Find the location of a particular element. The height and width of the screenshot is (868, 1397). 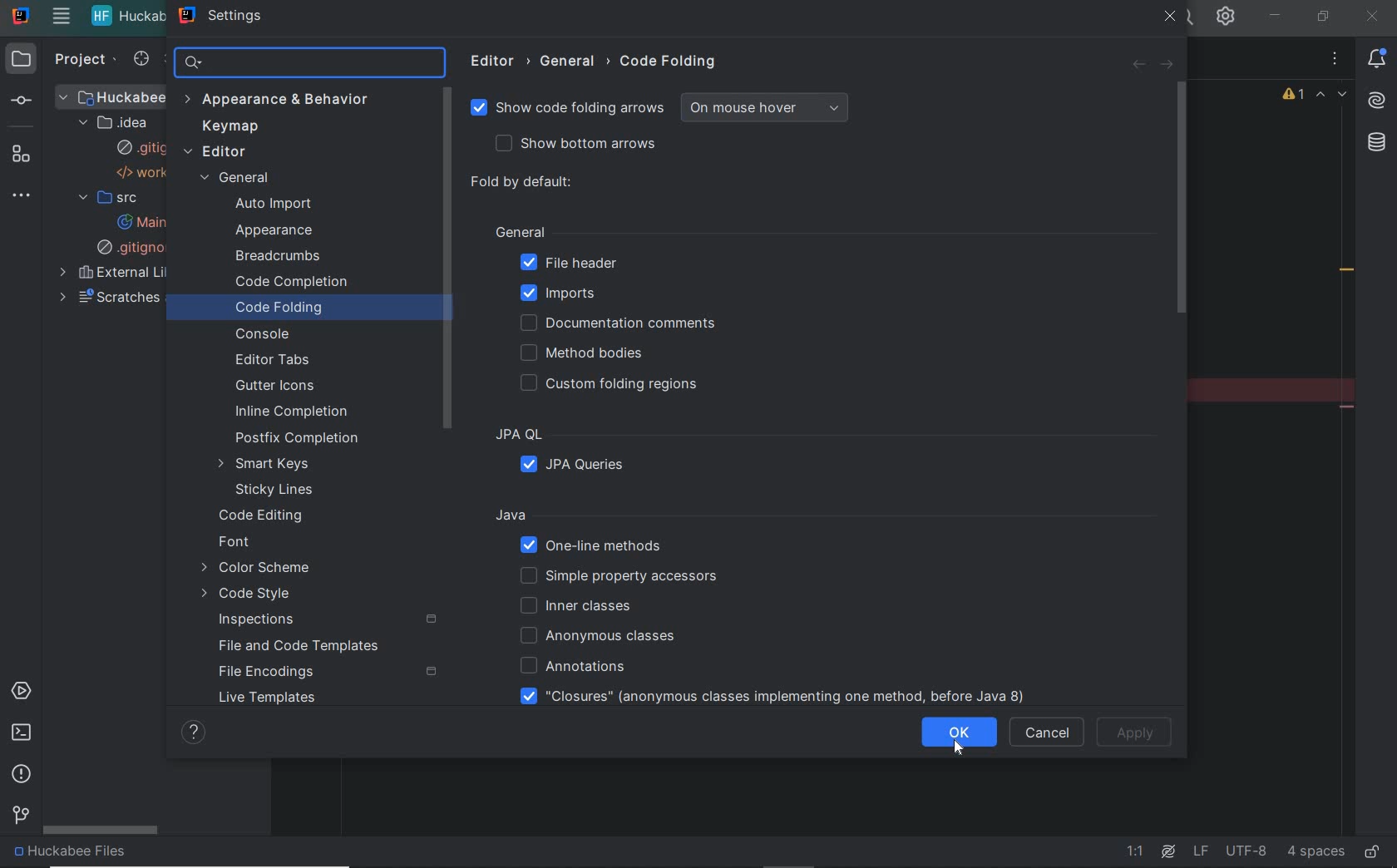

breadcrumbs is located at coordinates (280, 256).